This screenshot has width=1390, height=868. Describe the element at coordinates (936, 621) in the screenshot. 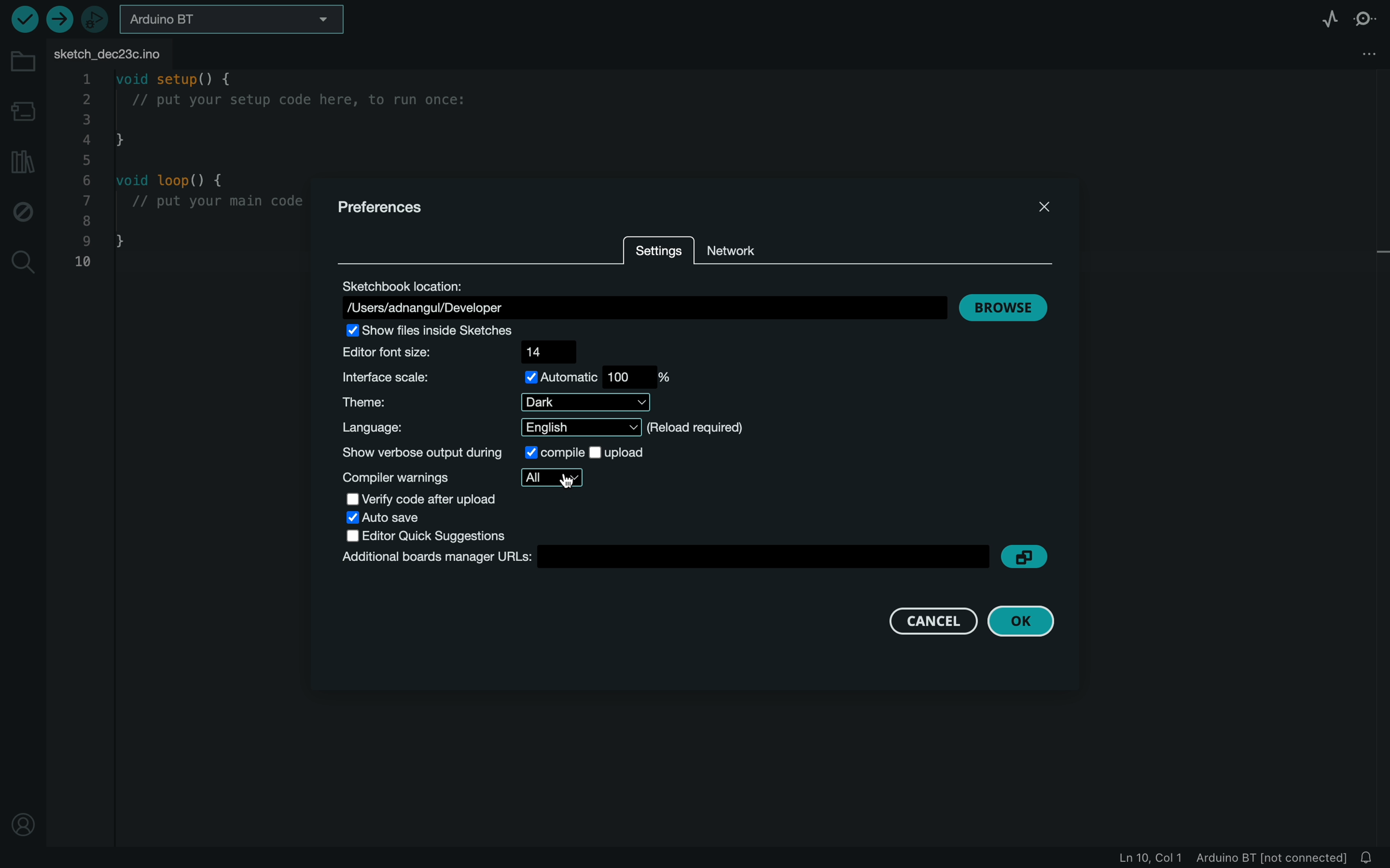

I see `cancel` at that location.